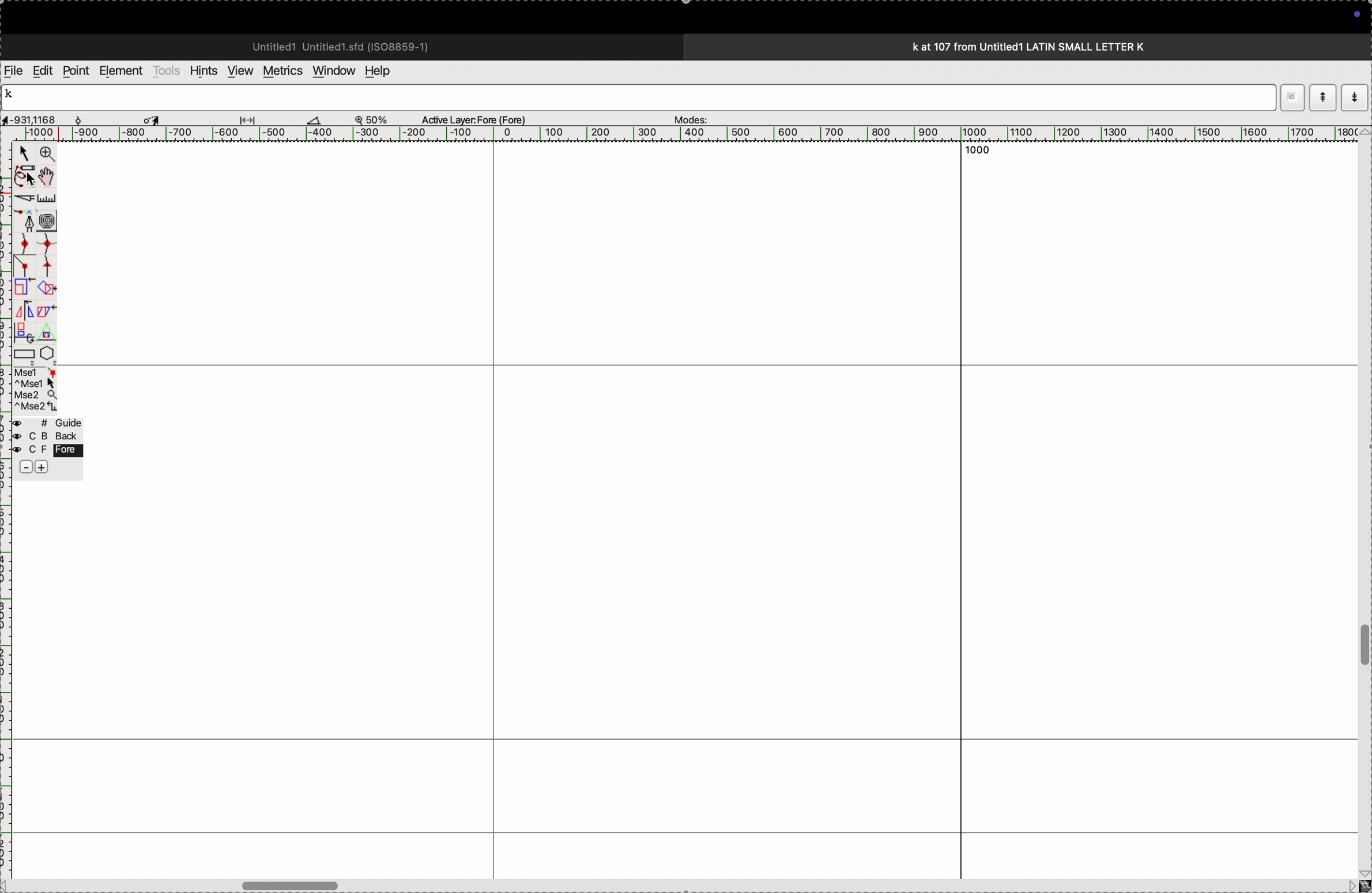 The image size is (1372, 893). What do you see at coordinates (385, 71) in the screenshot?
I see `help` at bounding box center [385, 71].